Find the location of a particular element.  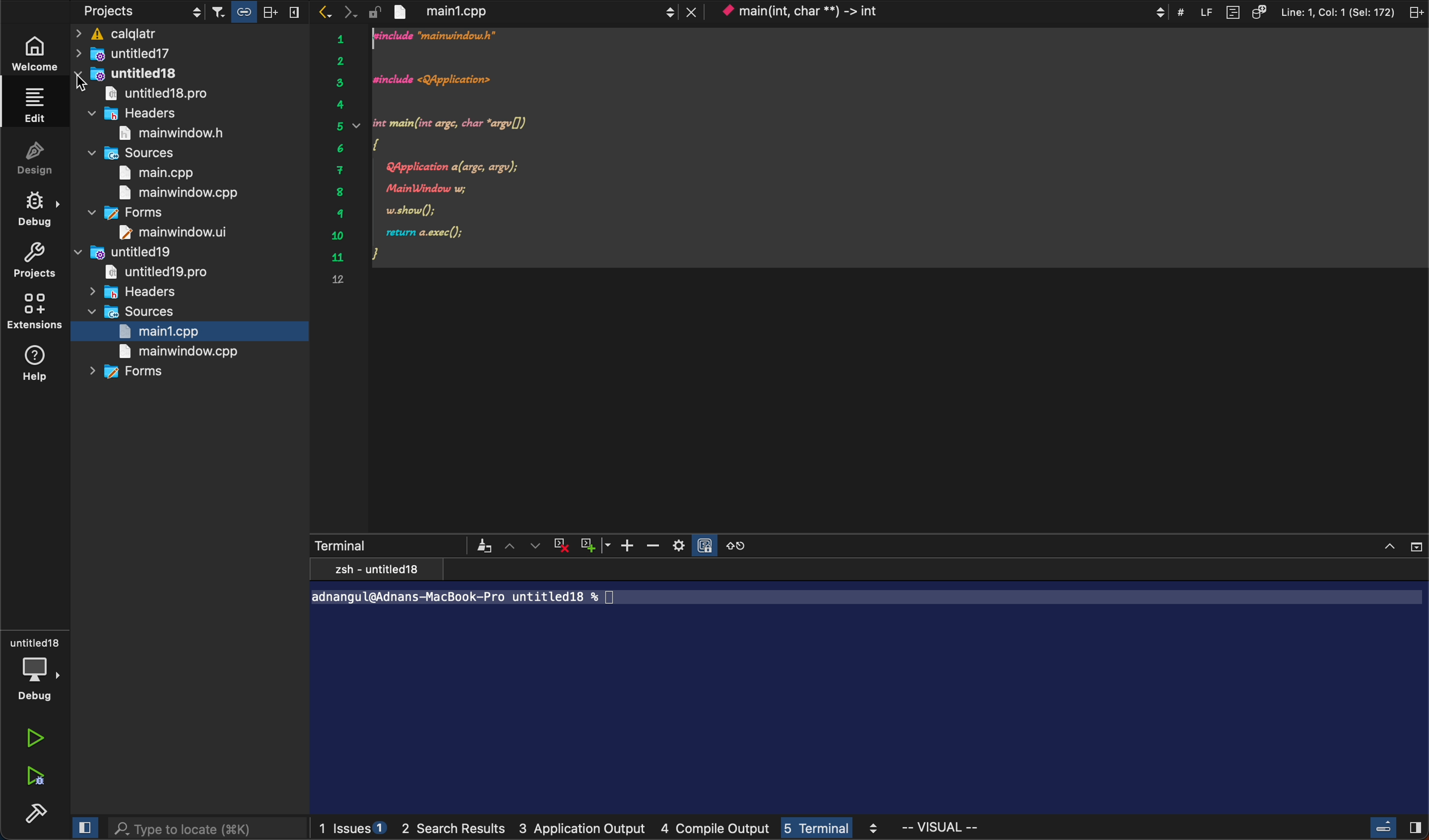

zoom in is located at coordinates (630, 545).